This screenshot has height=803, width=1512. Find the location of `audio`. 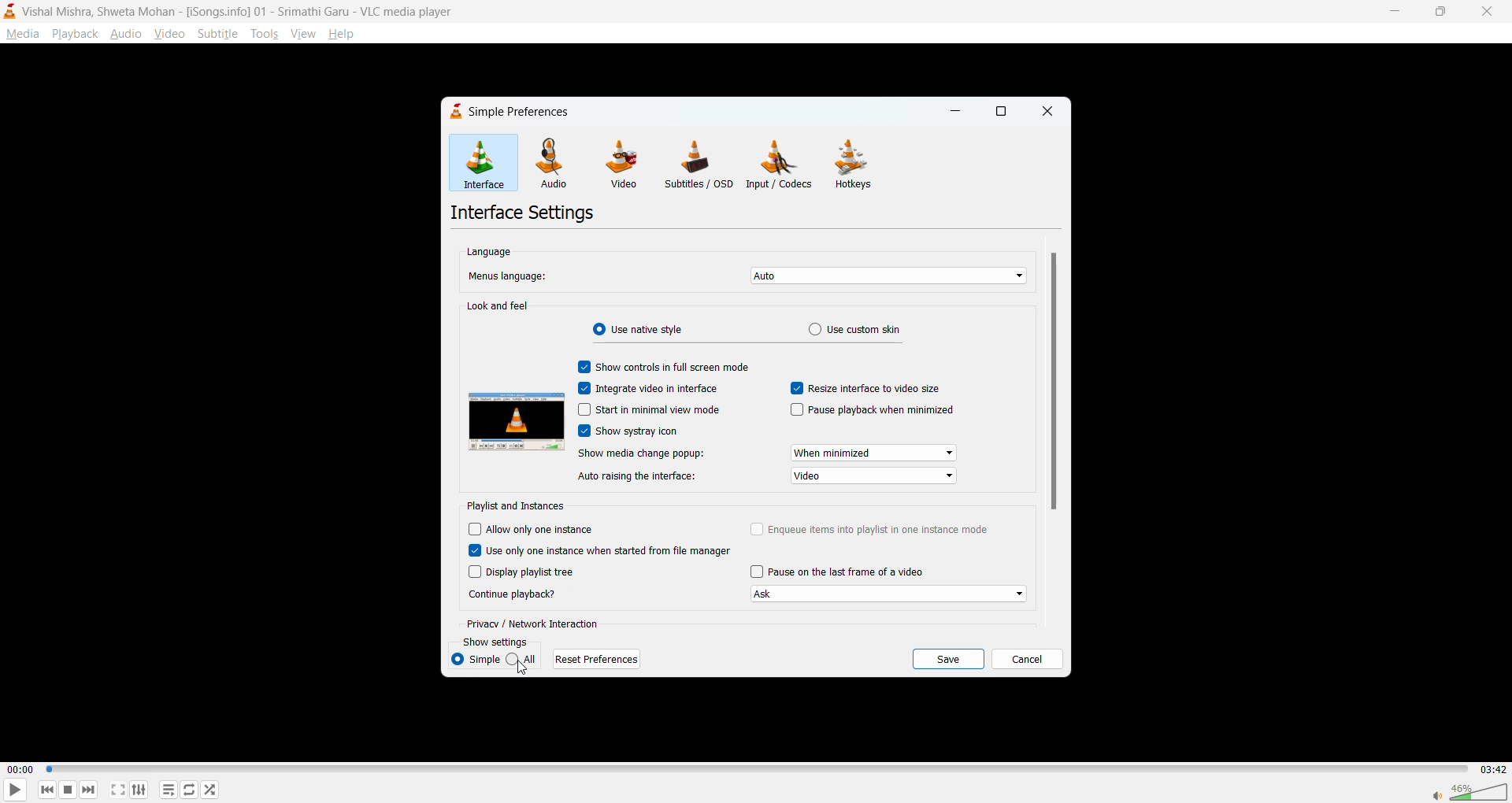

audio is located at coordinates (126, 33).